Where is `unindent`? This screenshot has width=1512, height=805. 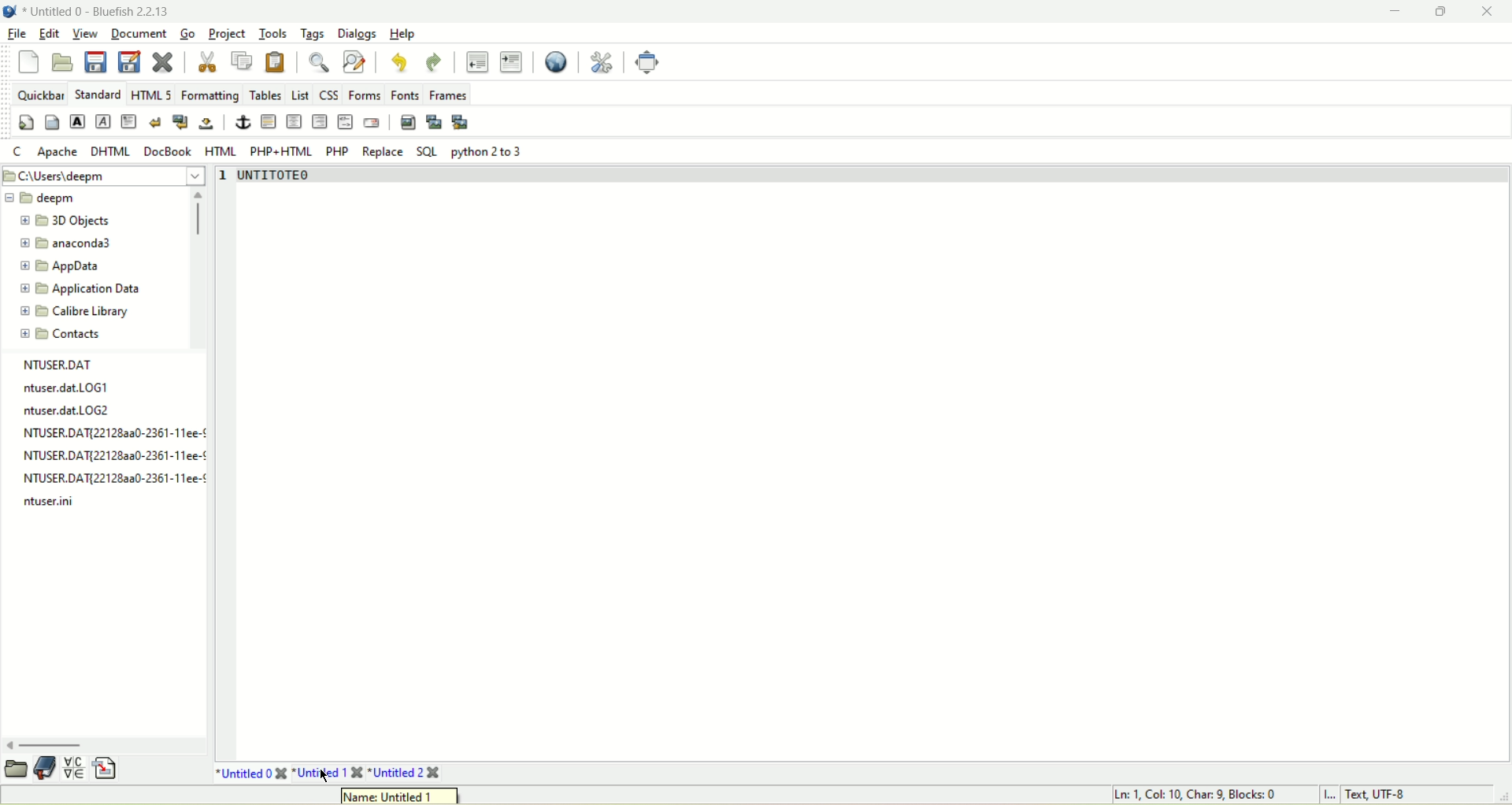
unindent is located at coordinates (476, 62).